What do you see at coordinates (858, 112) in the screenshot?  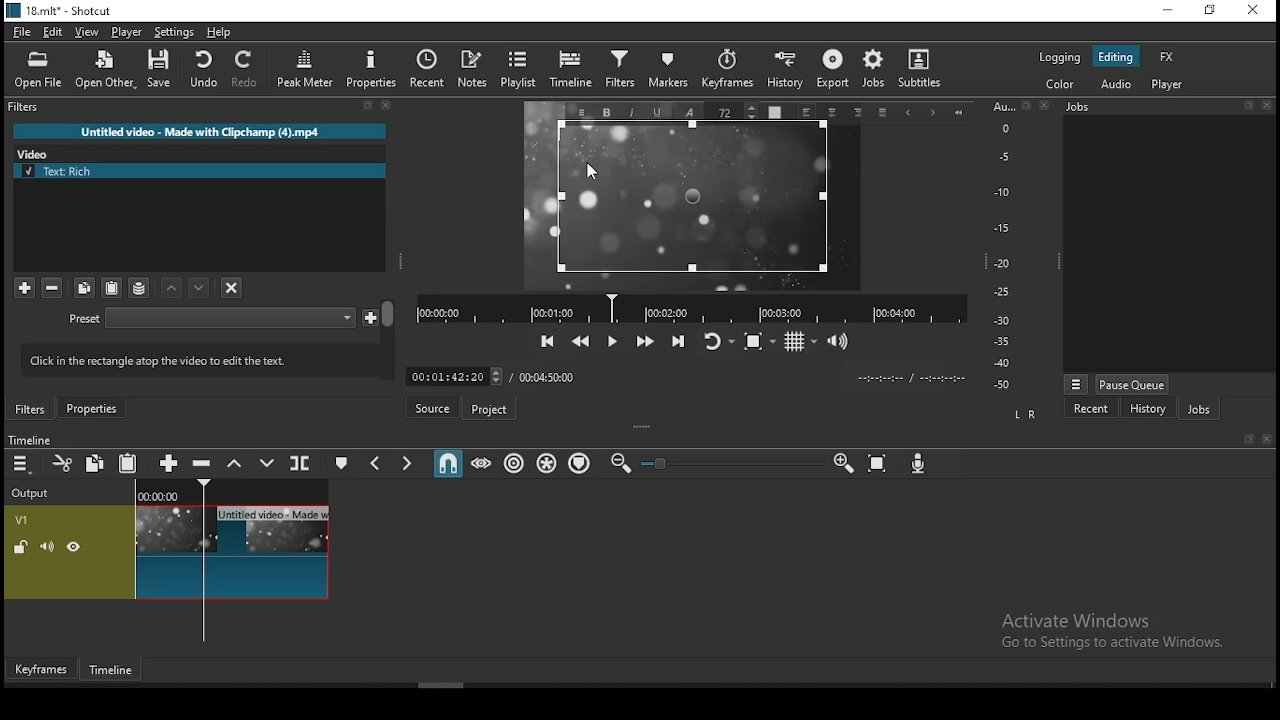 I see `Right align` at bounding box center [858, 112].